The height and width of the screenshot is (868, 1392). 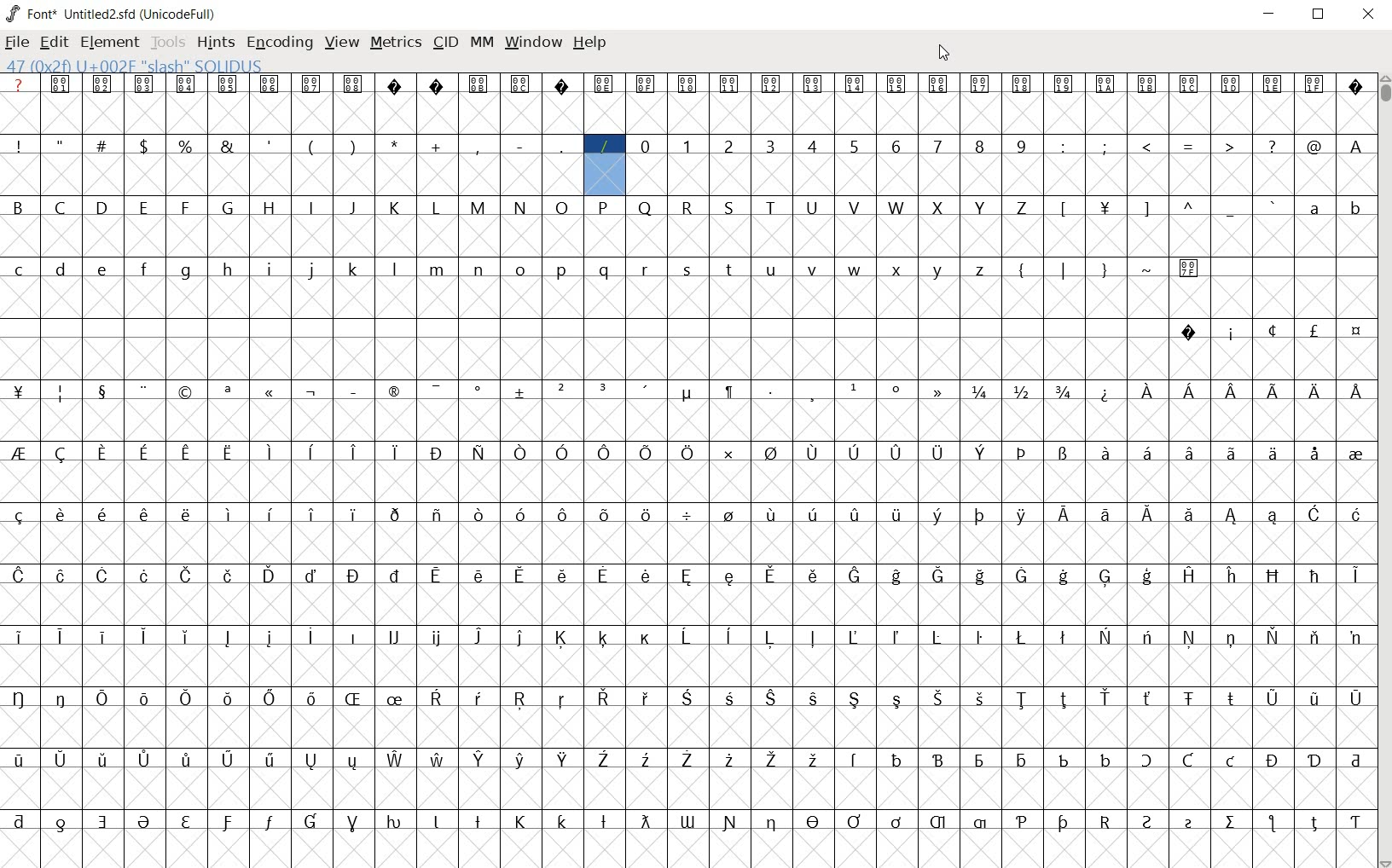 I want to click on glyph, so click(x=729, y=514).